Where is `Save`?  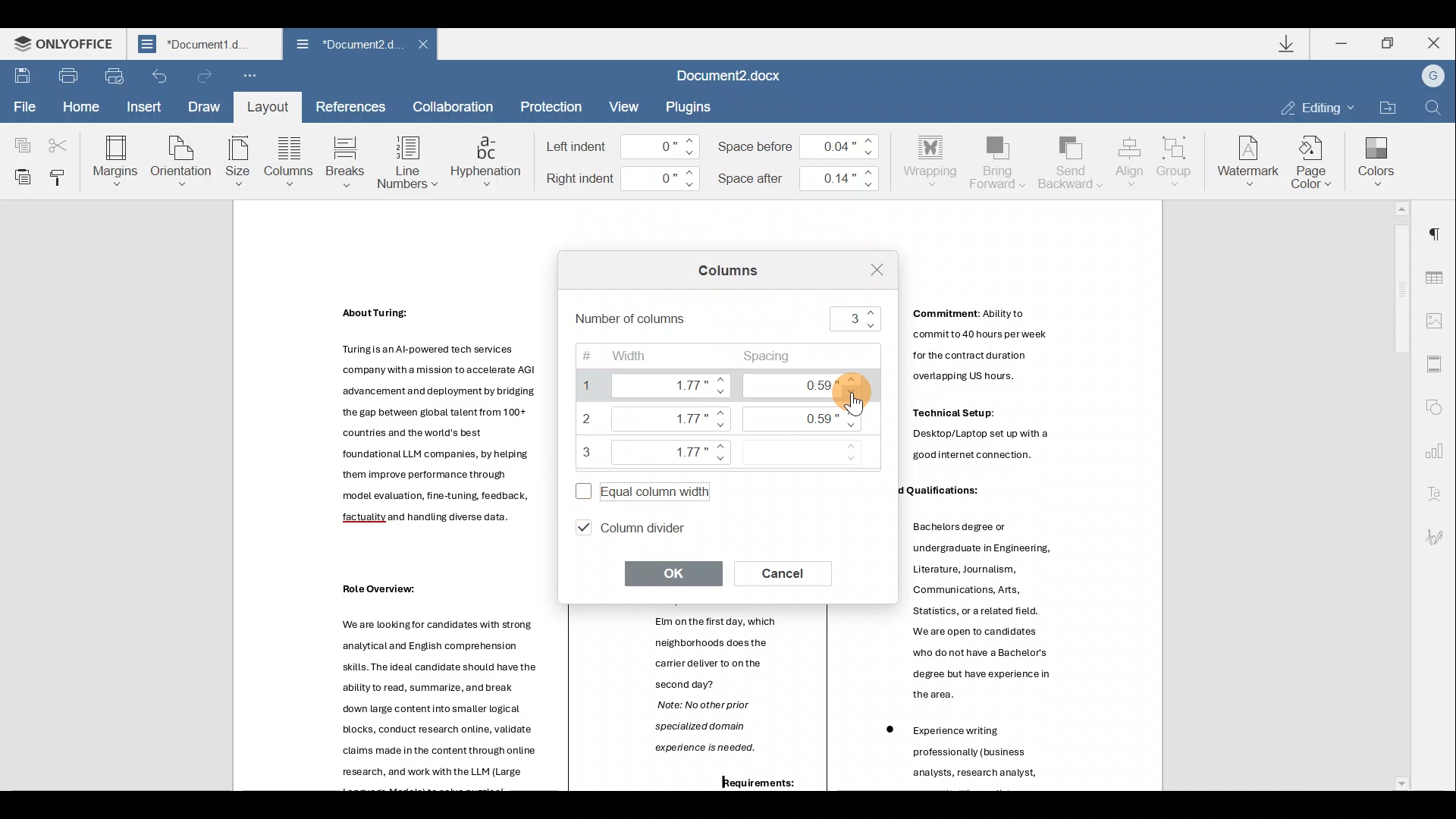 Save is located at coordinates (20, 77).